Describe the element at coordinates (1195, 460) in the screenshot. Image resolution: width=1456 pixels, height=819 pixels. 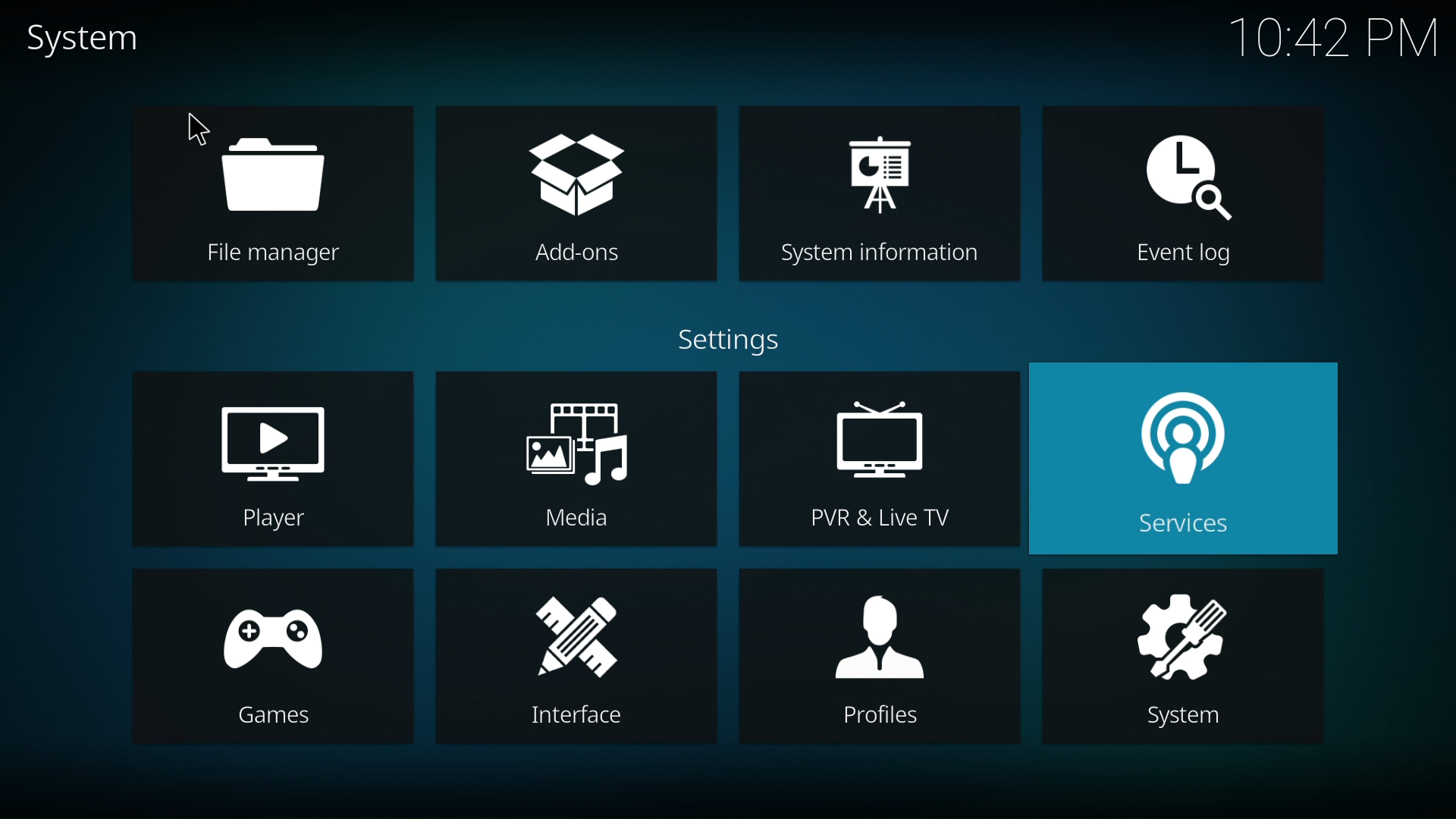
I see `services` at that location.